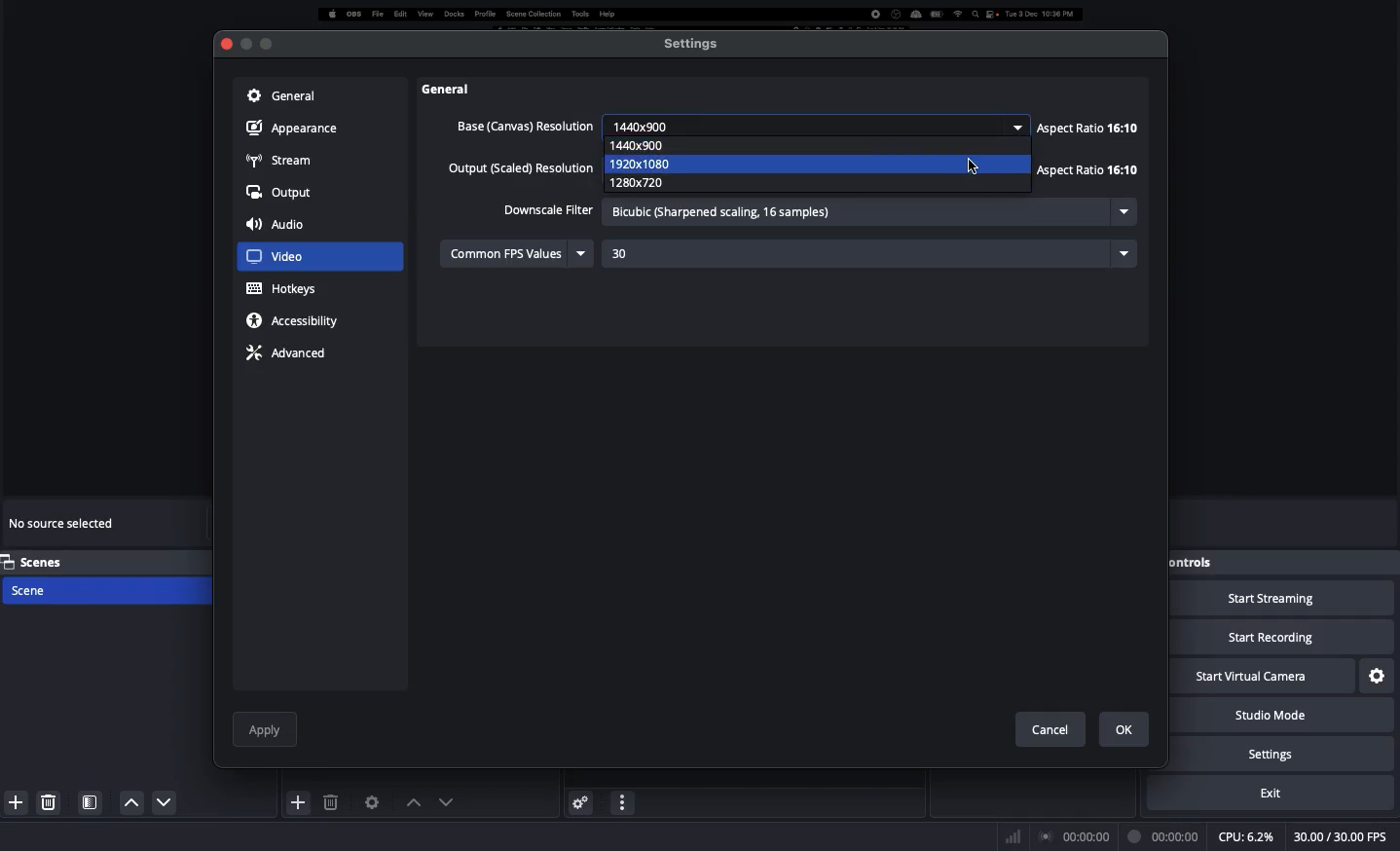 The height and width of the screenshot is (851, 1400). I want to click on Button, so click(245, 44).